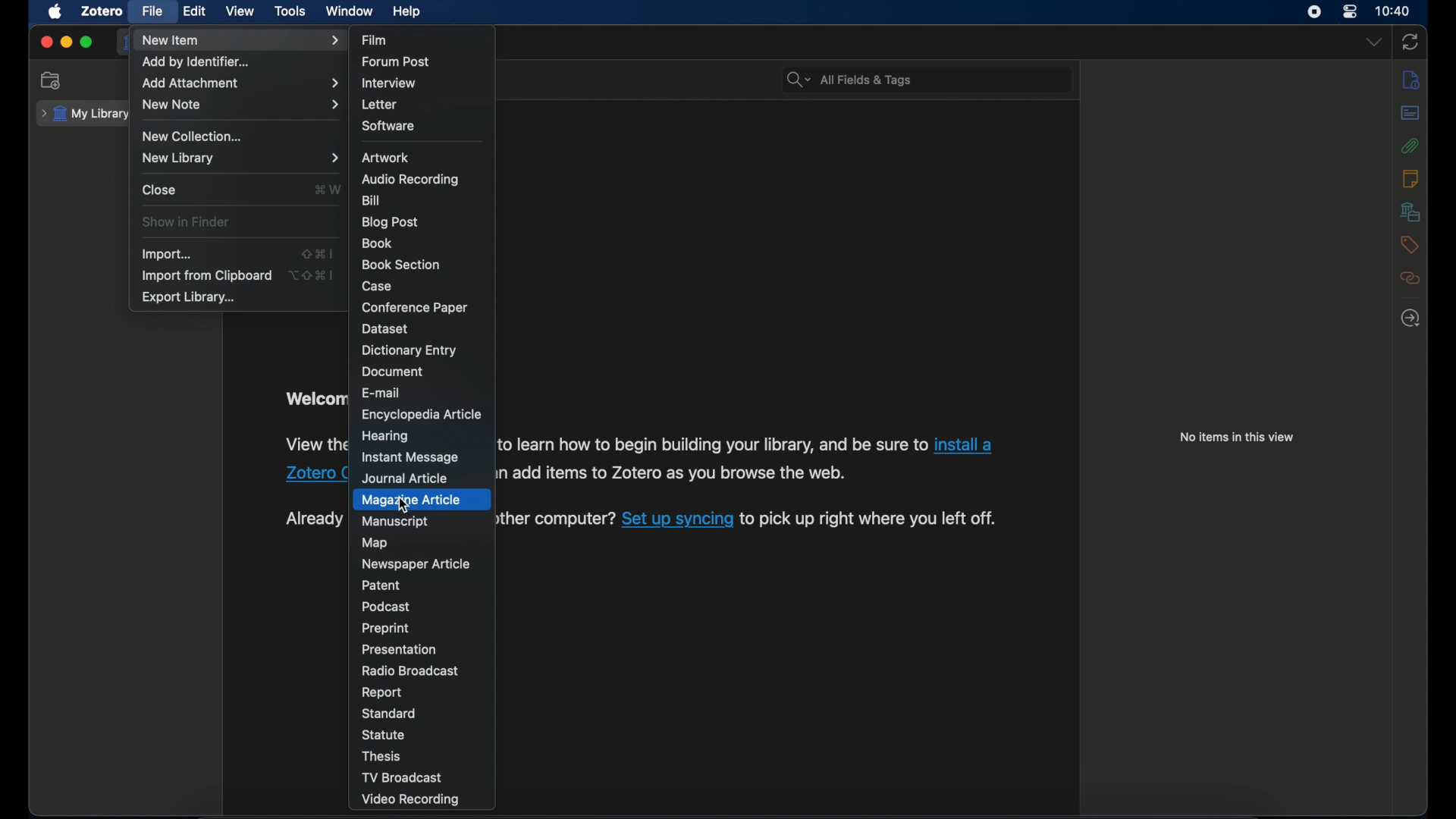 The width and height of the screenshot is (1456, 819). I want to click on new collection, so click(53, 80).